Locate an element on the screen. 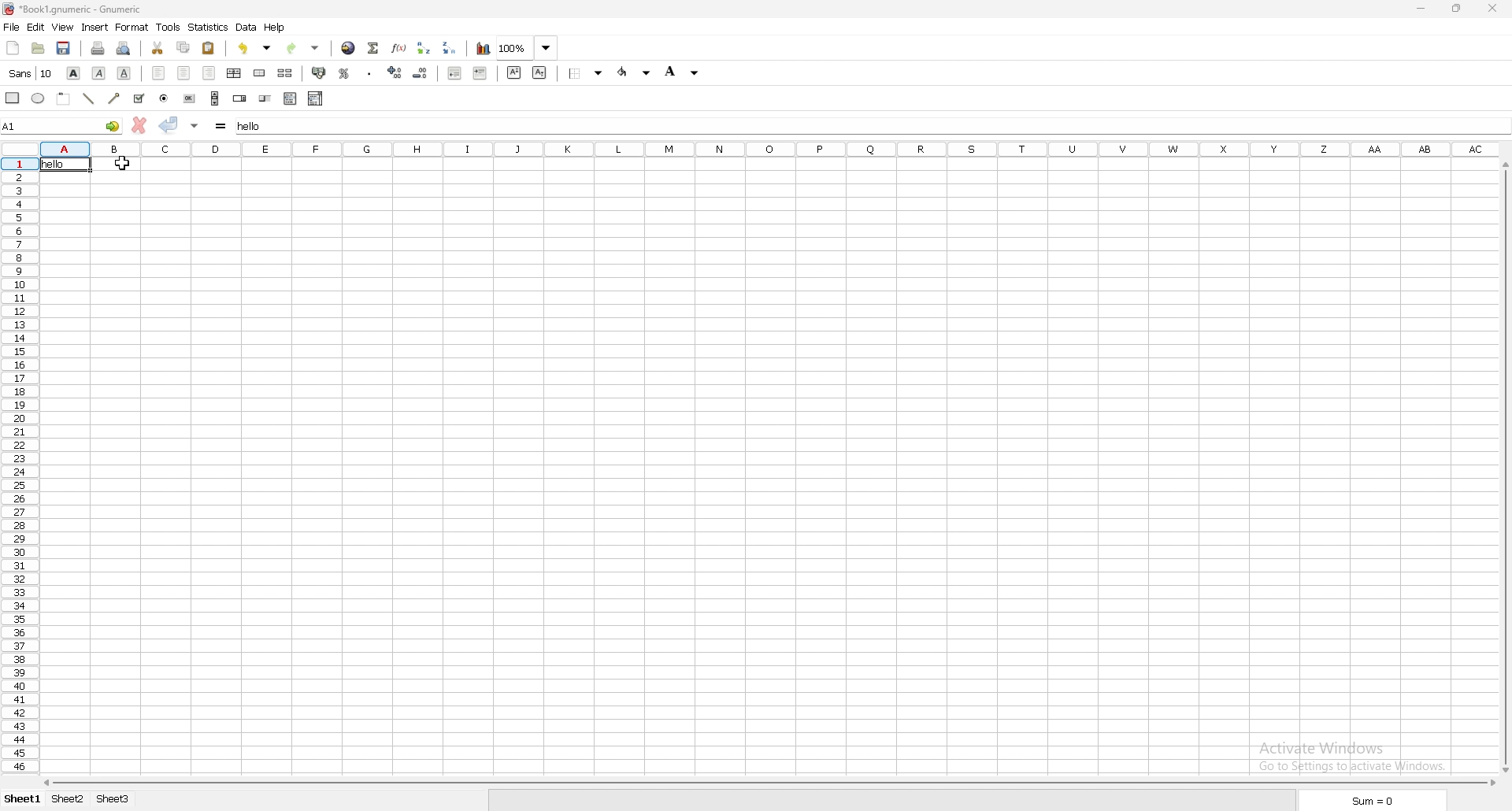 The image size is (1512, 811). merge is located at coordinates (259, 73).